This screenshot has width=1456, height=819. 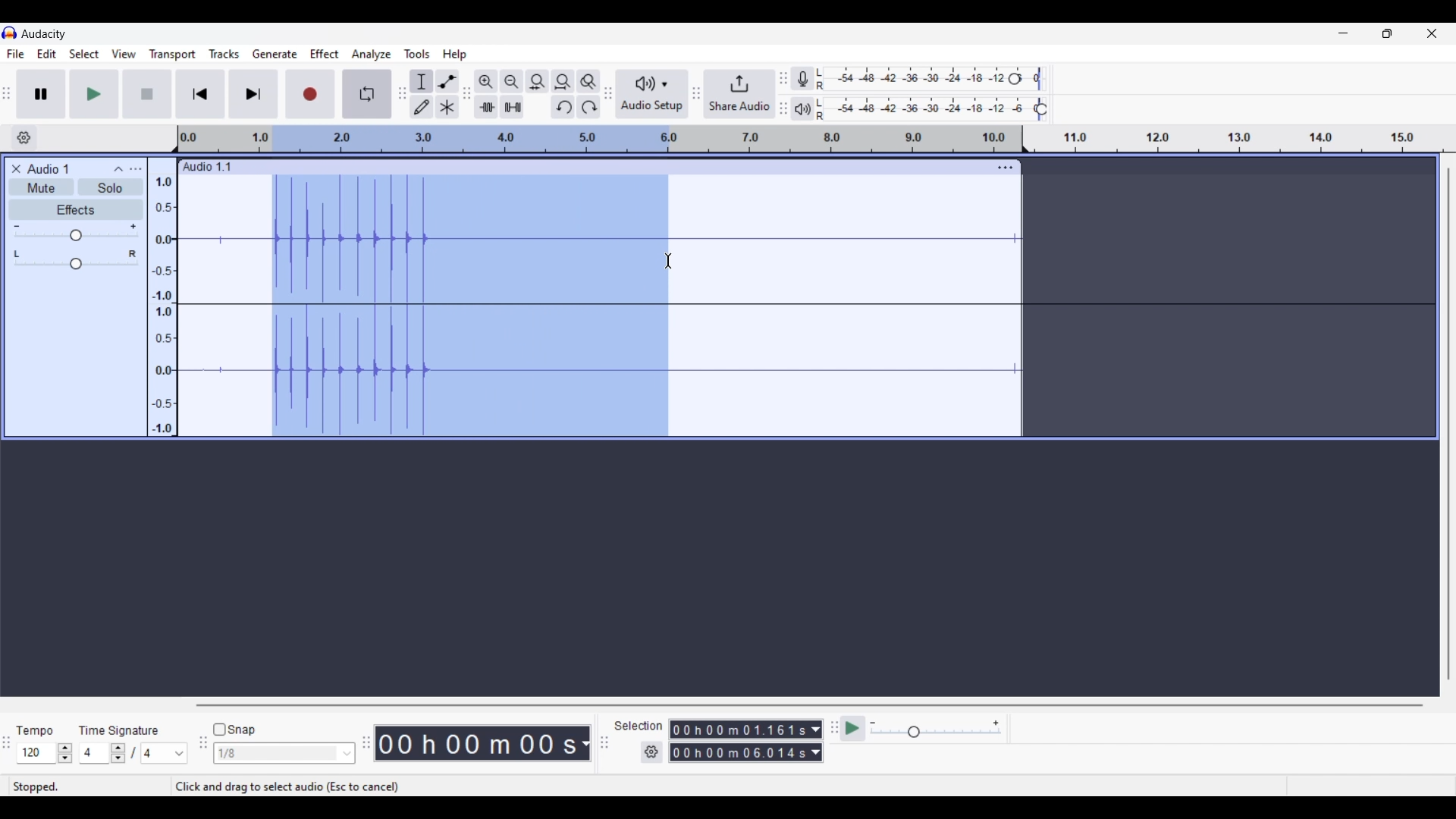 What do you see at coordinates (372, 55) in the screenshot?
I see `Analyze menu` at bounding box center [372, 55].